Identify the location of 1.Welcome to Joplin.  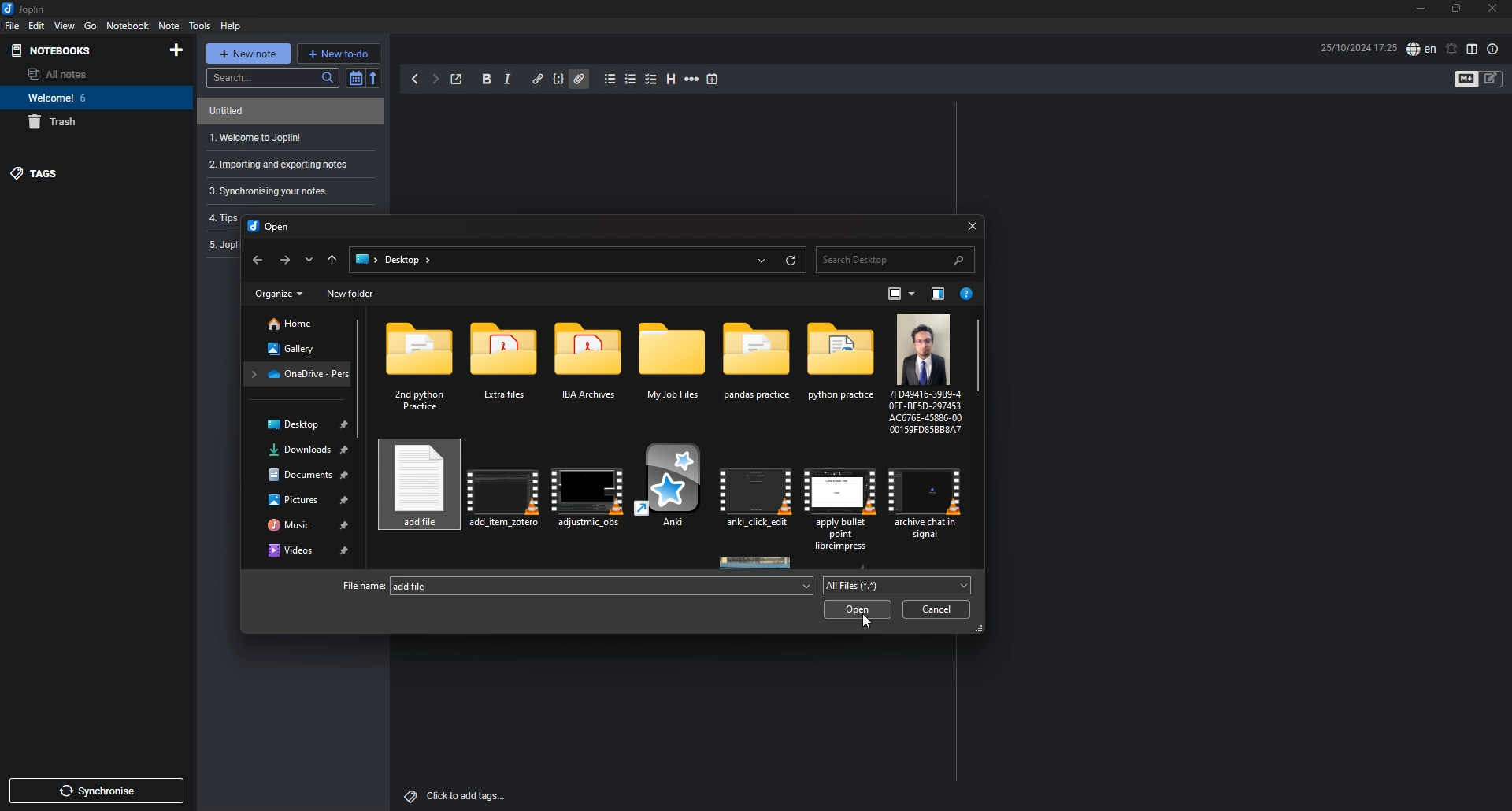
(287, 138).